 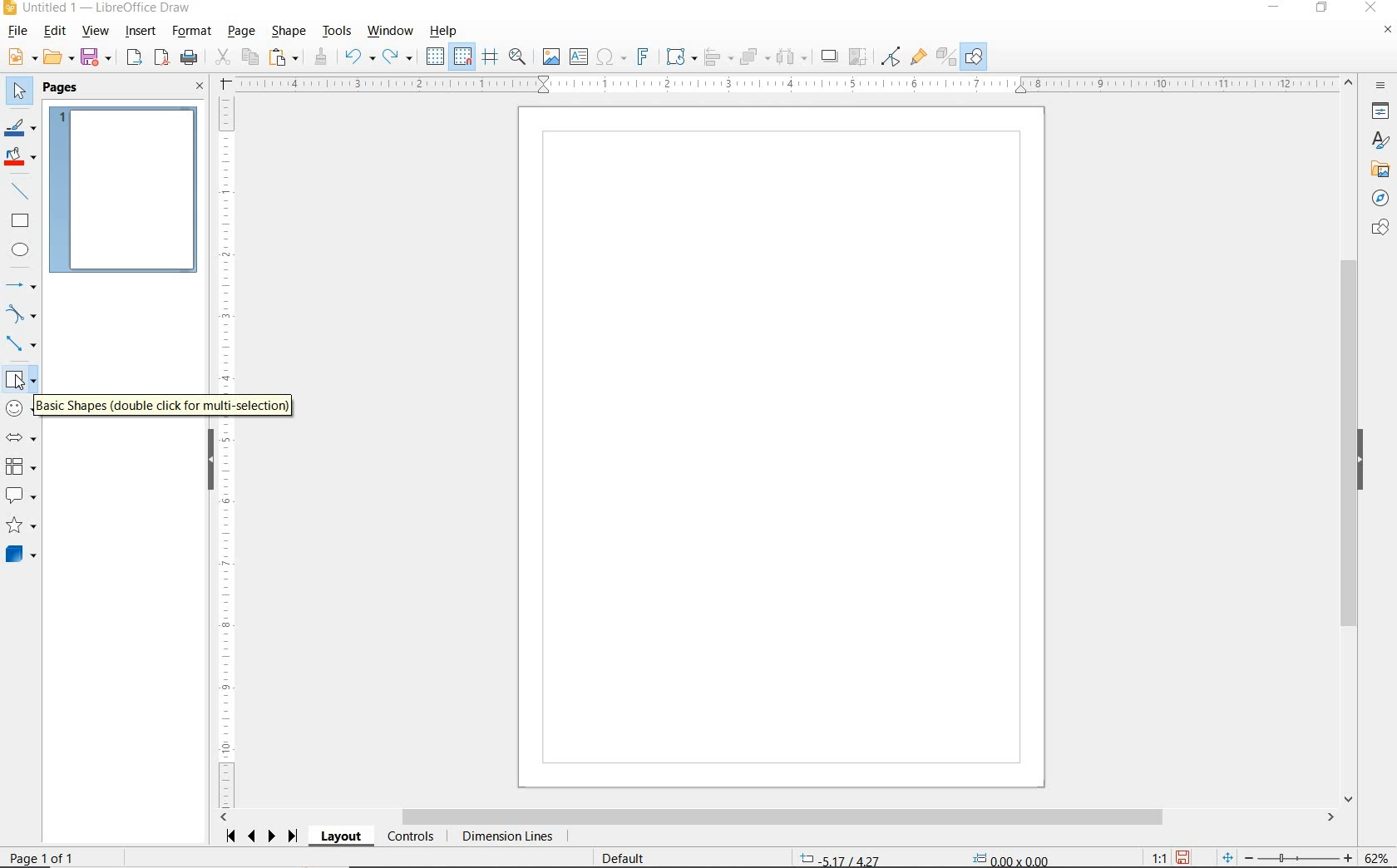 I want to click on EXPORT AS PDF, so click(x=163, y=59).